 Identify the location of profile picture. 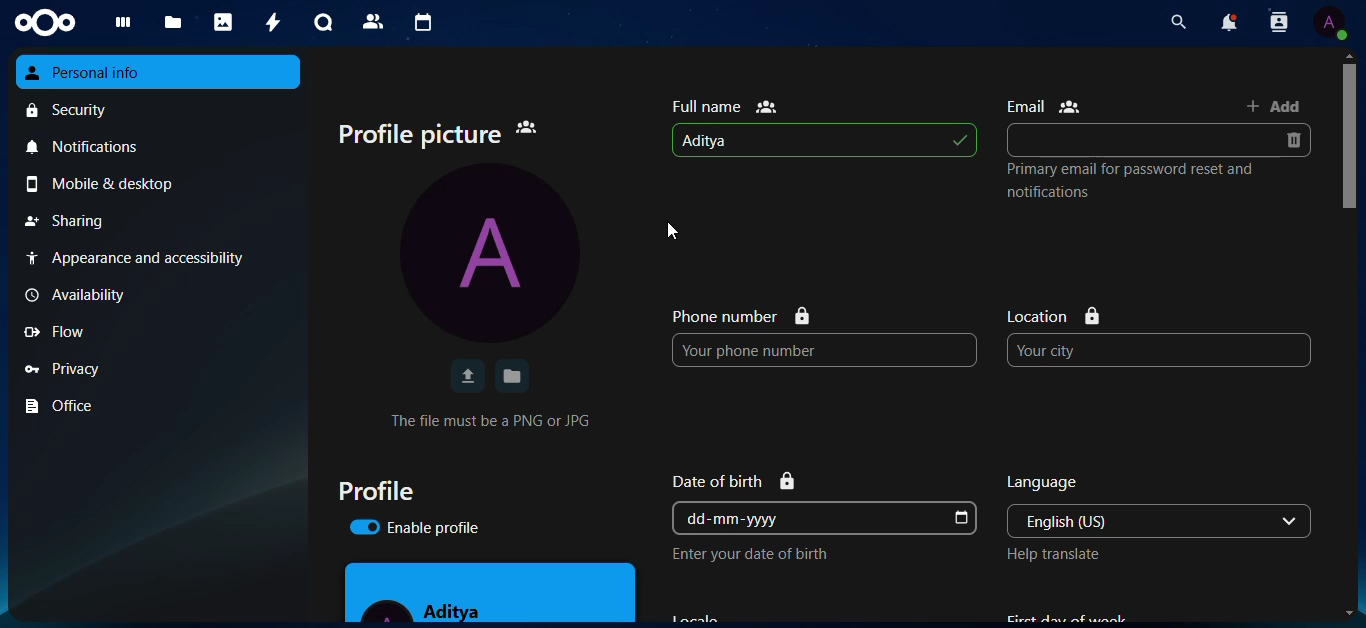
(438, 135).